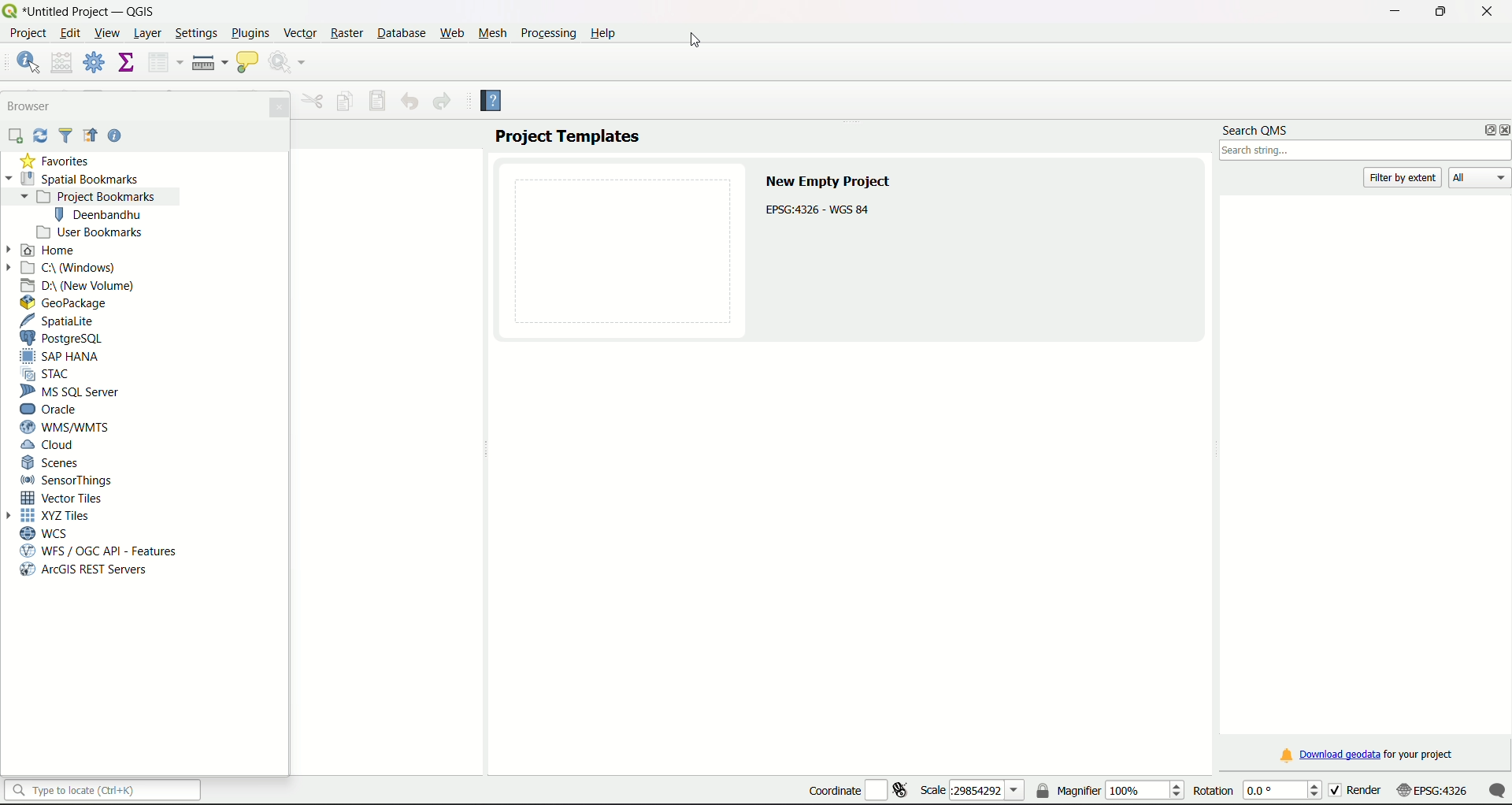 The height and width of the screenshot is (805, 1512). I want to click on D Drive, so click(80, 284).